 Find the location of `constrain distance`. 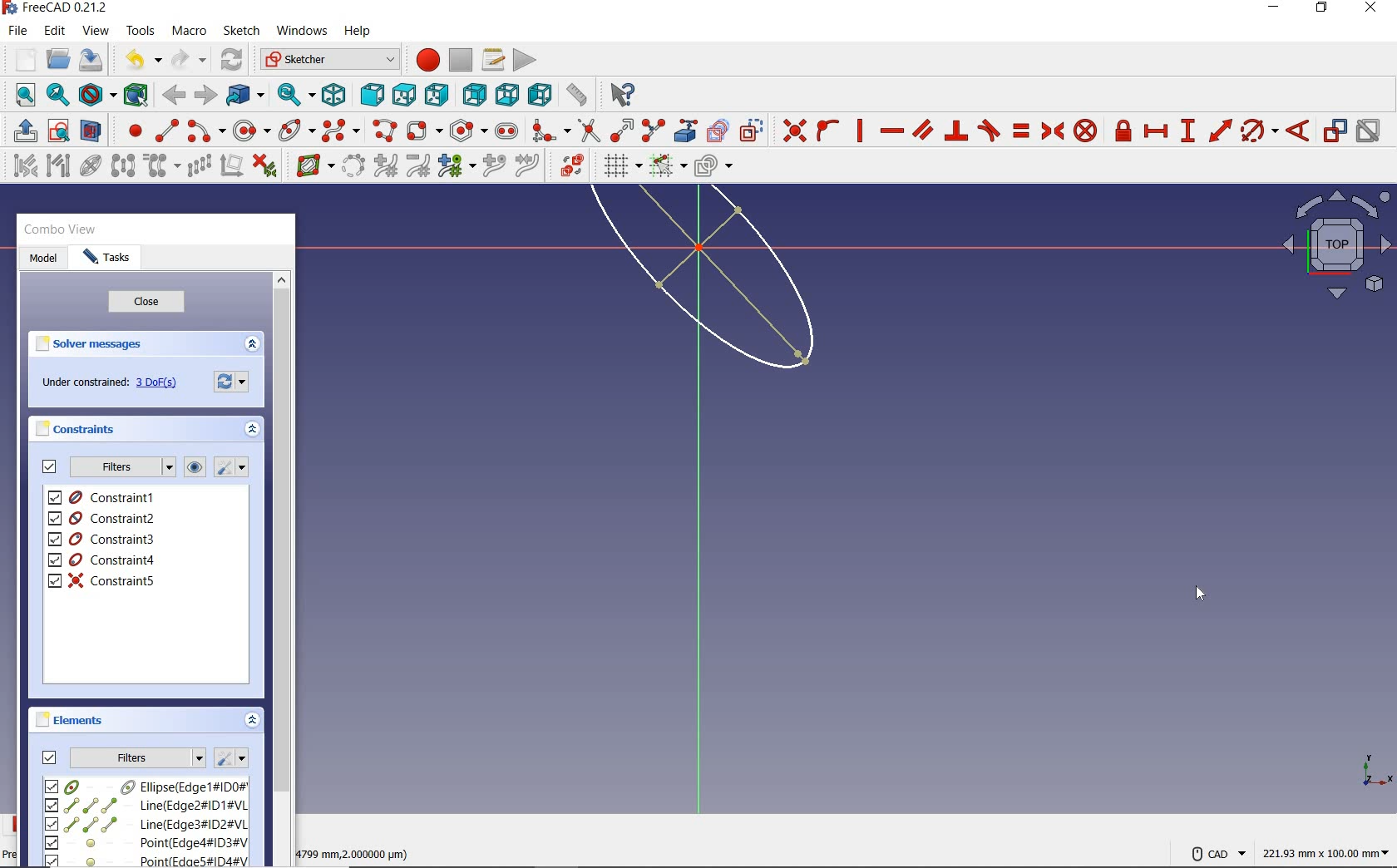

constrain distance is located at coordinates (1221, 129).